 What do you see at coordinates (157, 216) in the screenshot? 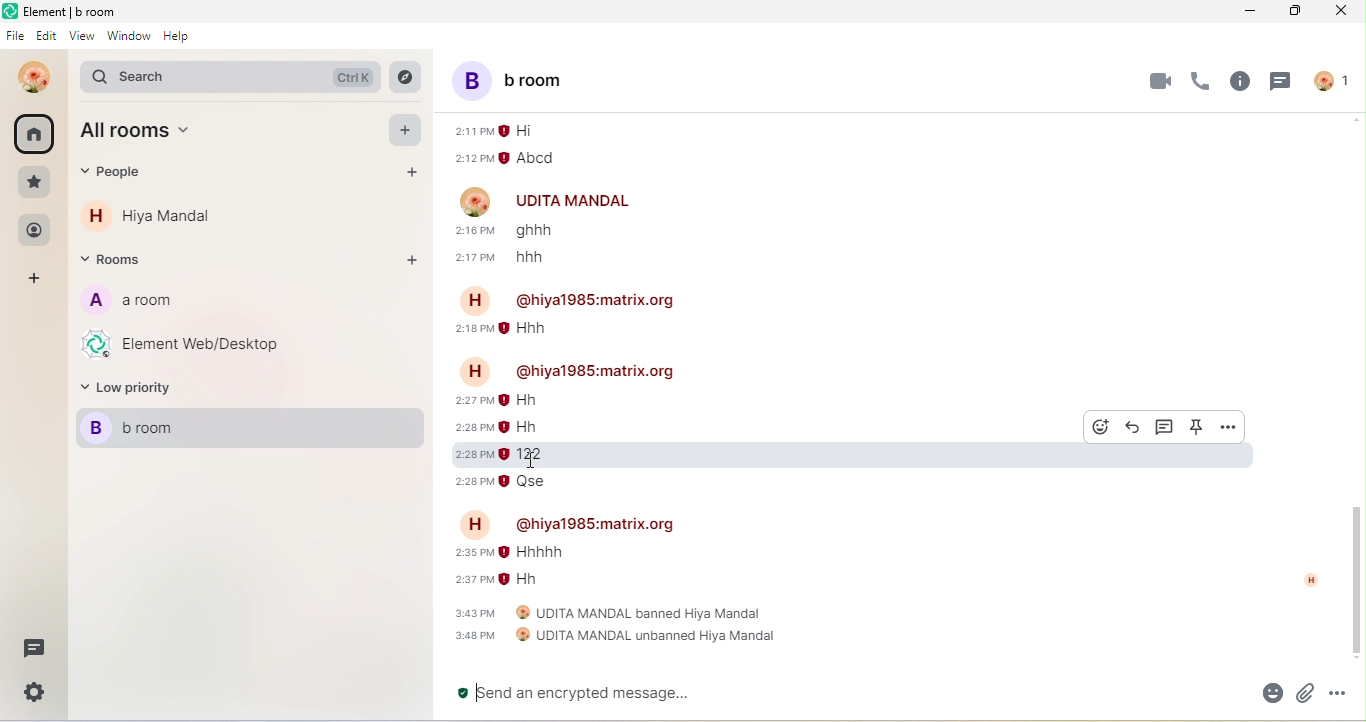
I see `hiya mandal` at bounding box center [157, 216].